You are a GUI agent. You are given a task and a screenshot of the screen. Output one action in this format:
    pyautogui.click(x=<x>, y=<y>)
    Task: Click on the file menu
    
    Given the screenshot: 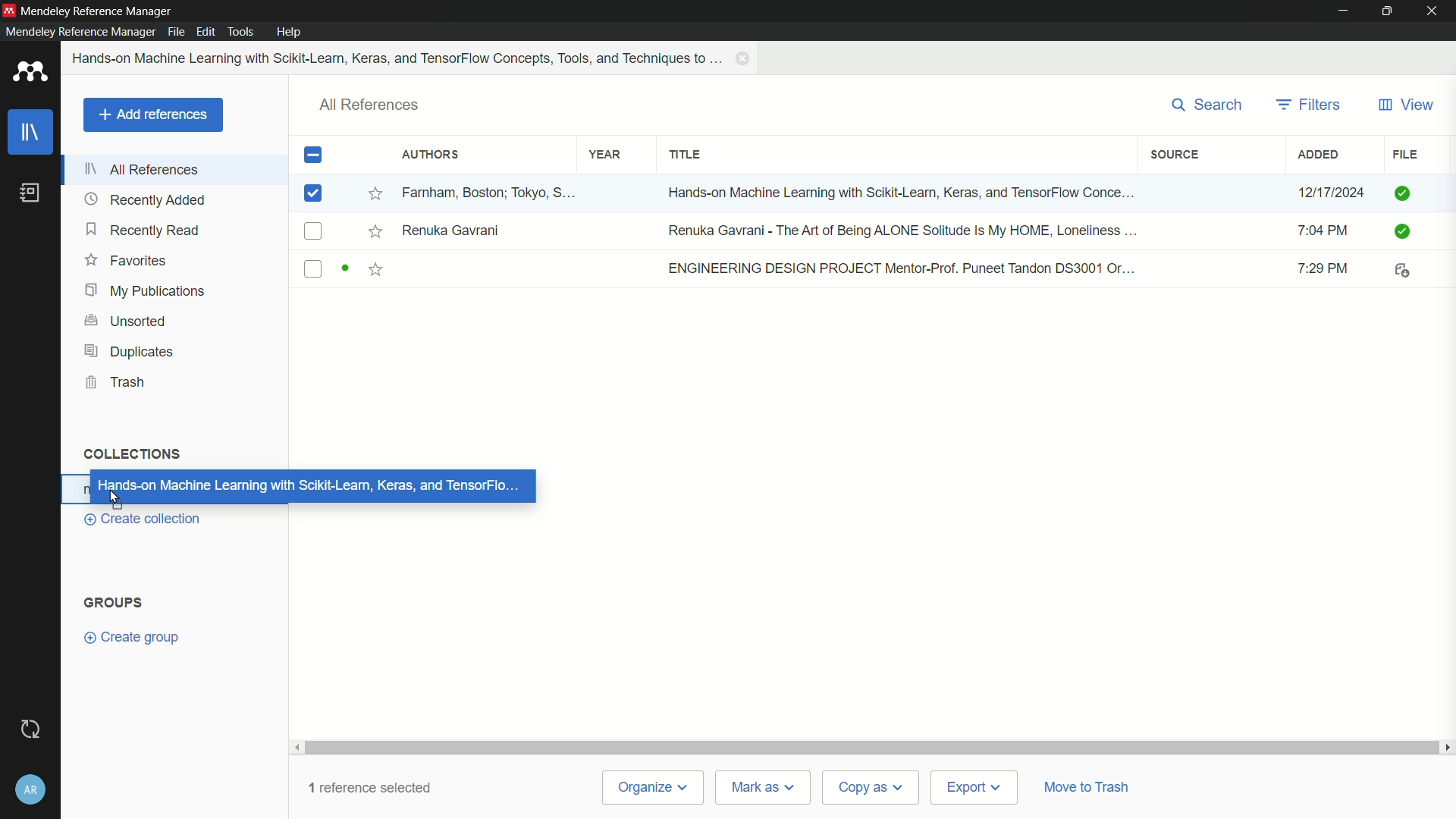 What is the action you would take?
    pyautogui.click(x=176, y=31)
    